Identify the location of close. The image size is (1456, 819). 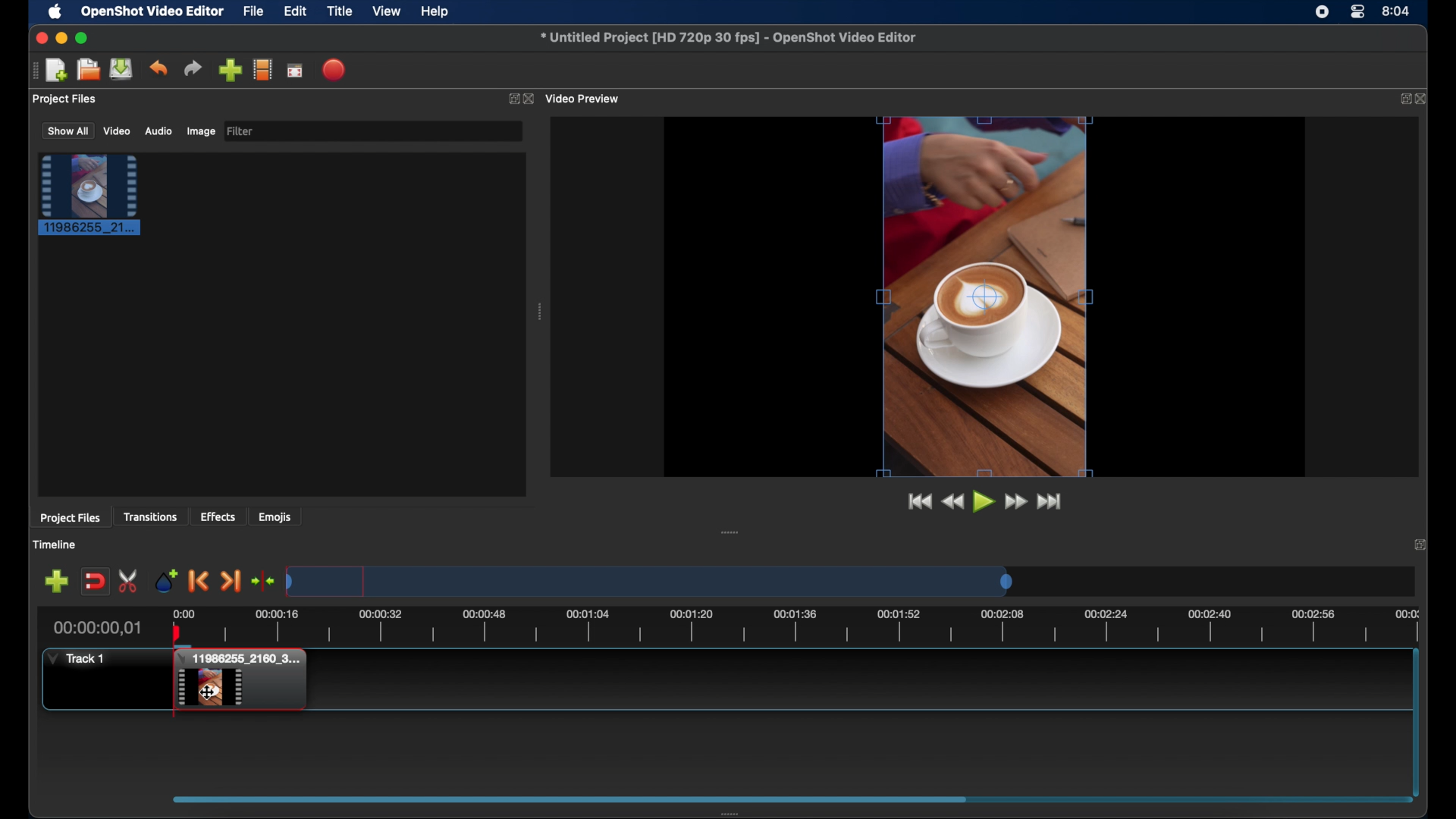
(529, 99).